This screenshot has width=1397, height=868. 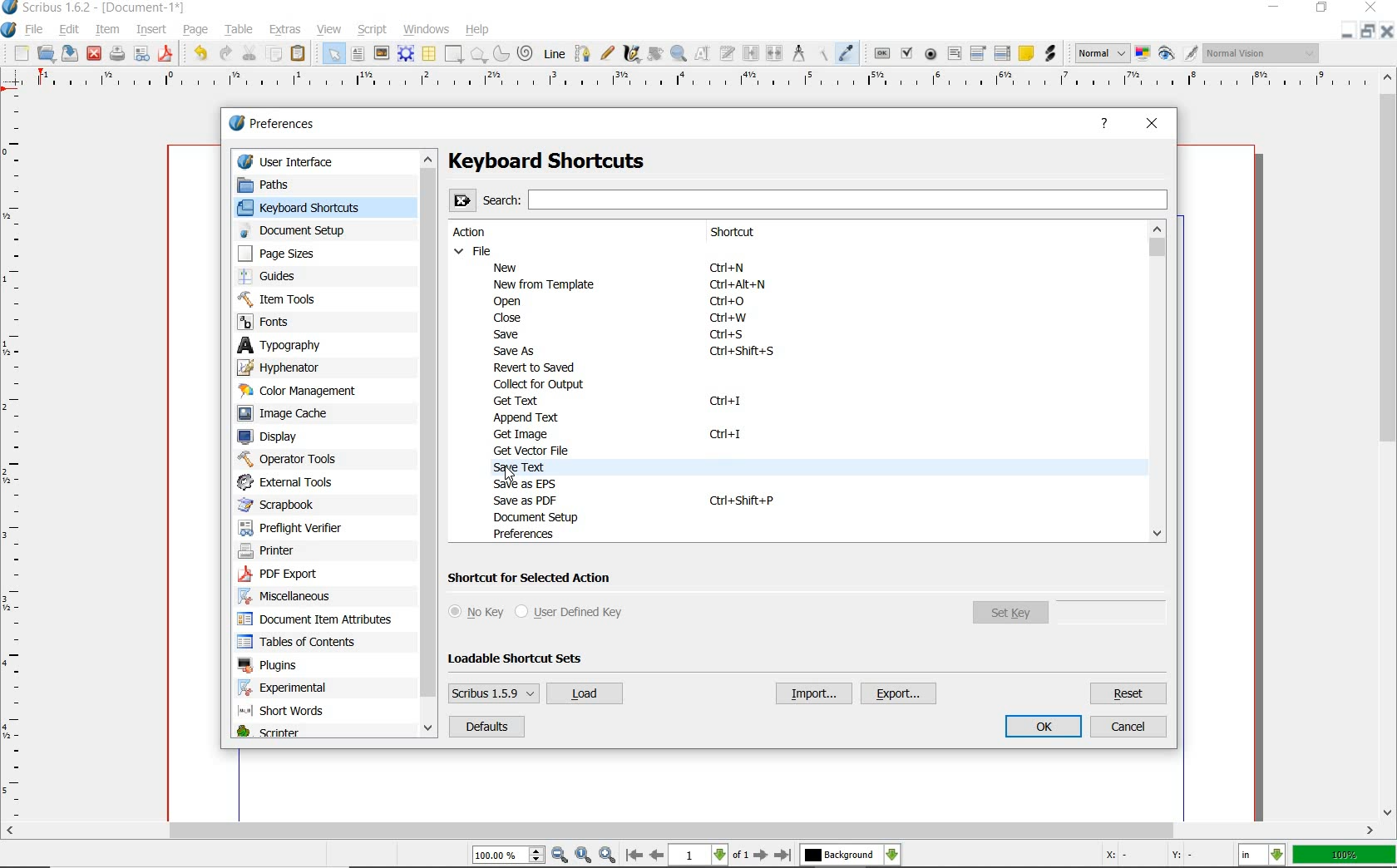 What do you see at coordinates (544, 856) in the screenshot?
I see `zoom in/zoom to/zoom out` at bounding box center [544, 856].